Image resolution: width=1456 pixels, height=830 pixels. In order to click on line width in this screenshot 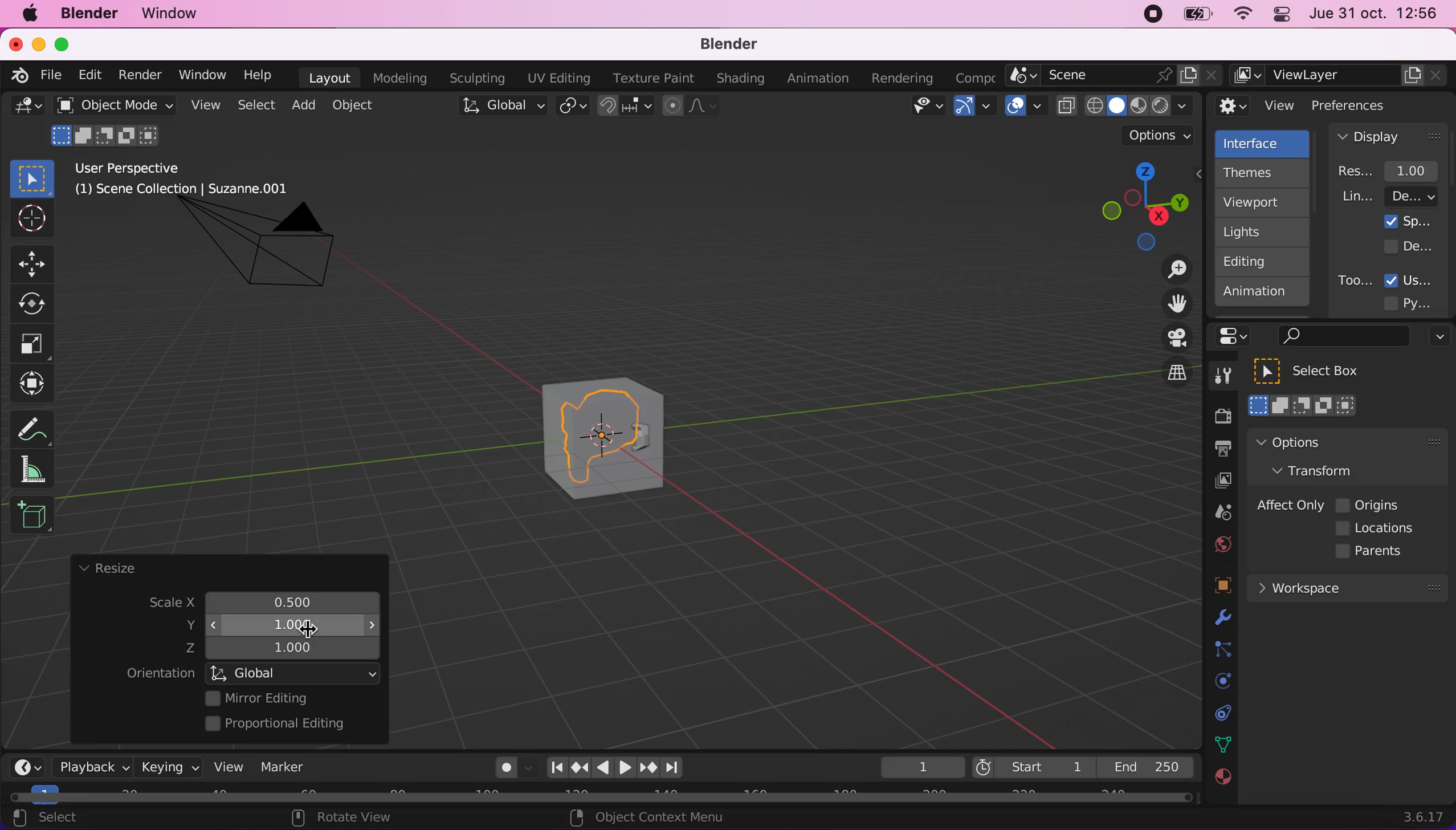, I will do `click(1389, 196)`.